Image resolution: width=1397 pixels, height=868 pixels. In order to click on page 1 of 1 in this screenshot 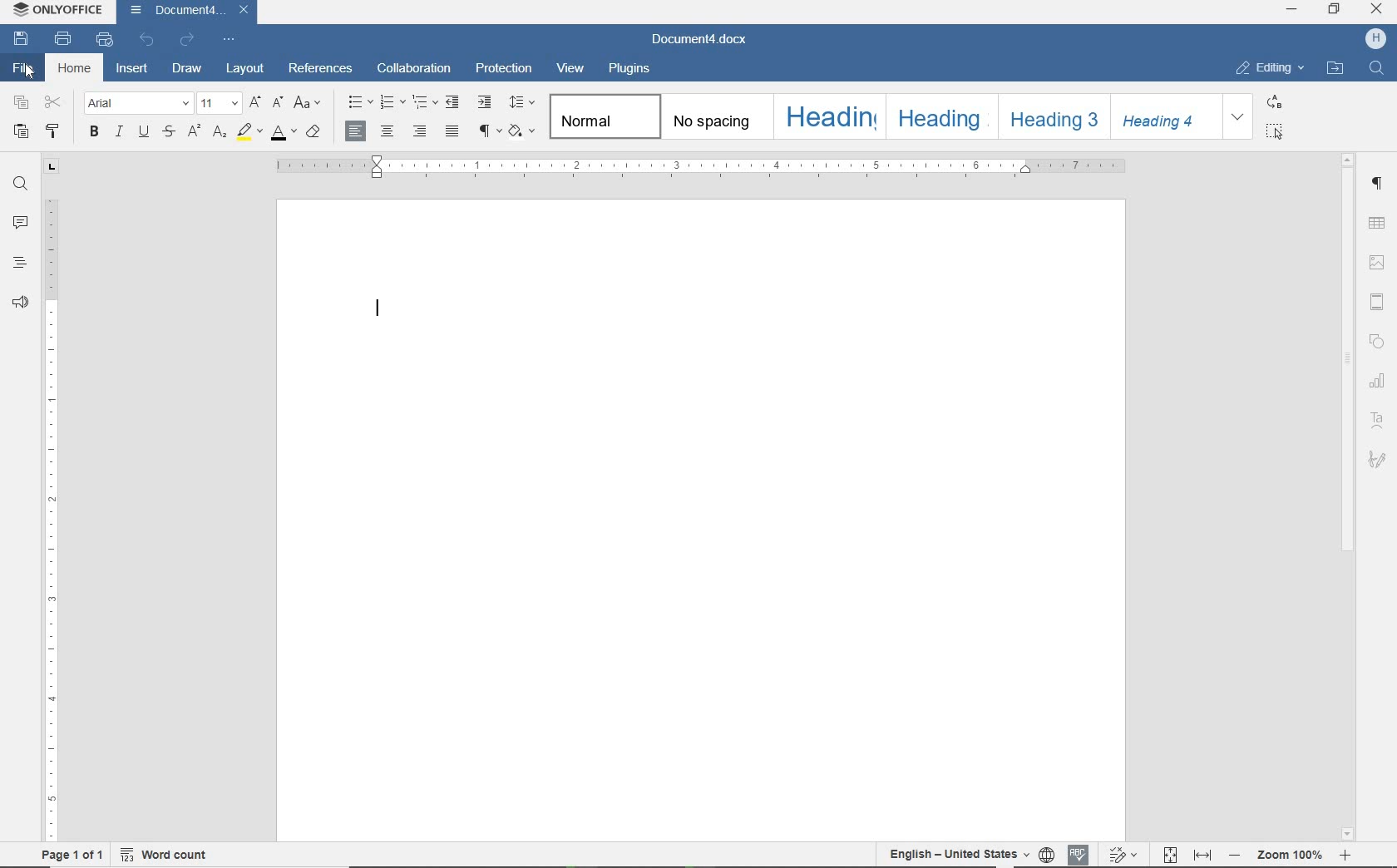, I will do `click(73, 856)`.